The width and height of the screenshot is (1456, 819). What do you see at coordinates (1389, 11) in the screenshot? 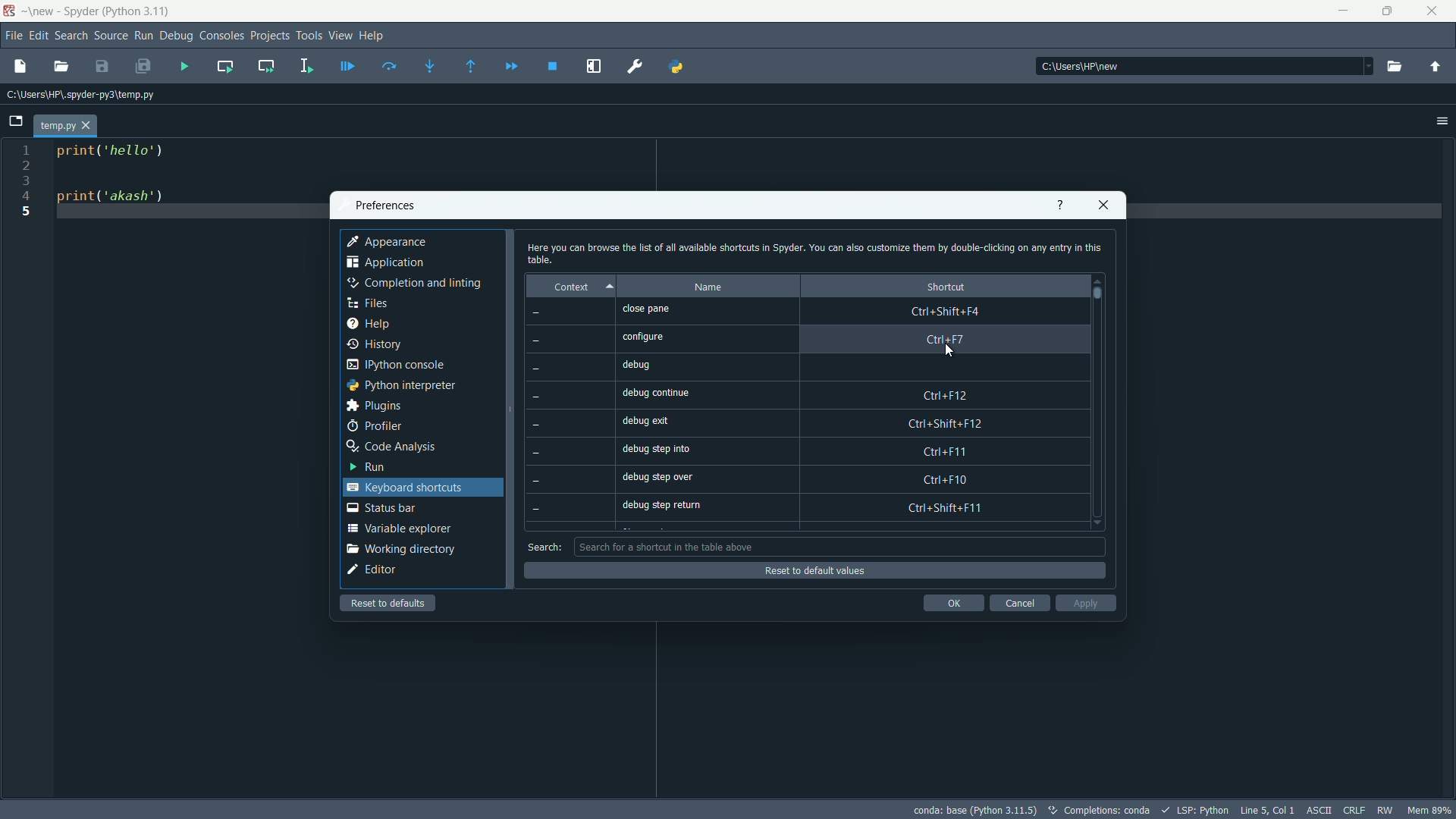
I see `maximize` at bounding box center [1389, 11].